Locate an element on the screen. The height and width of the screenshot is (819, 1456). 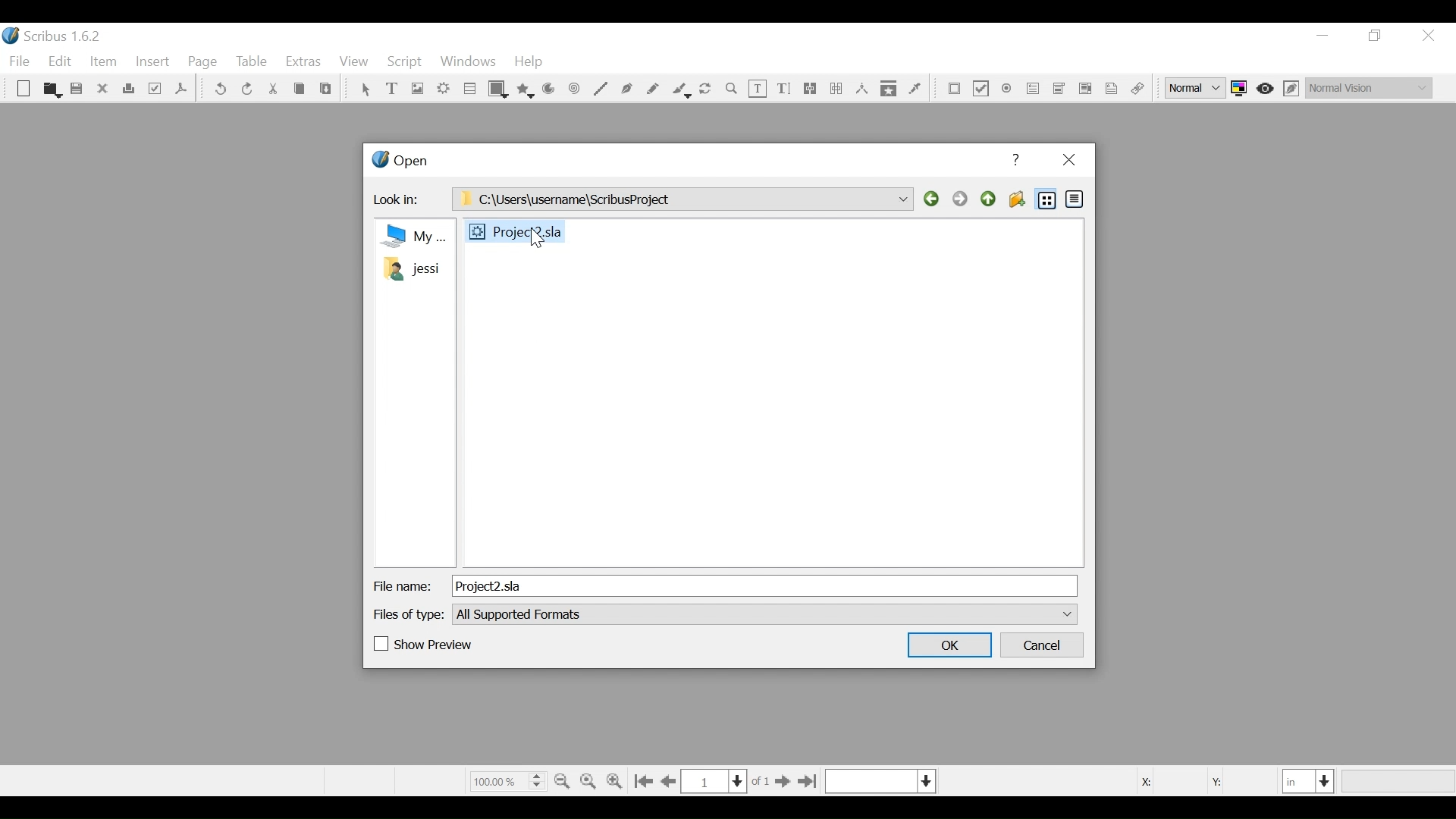
PDF Push Button is located at coordinates (955, 89).